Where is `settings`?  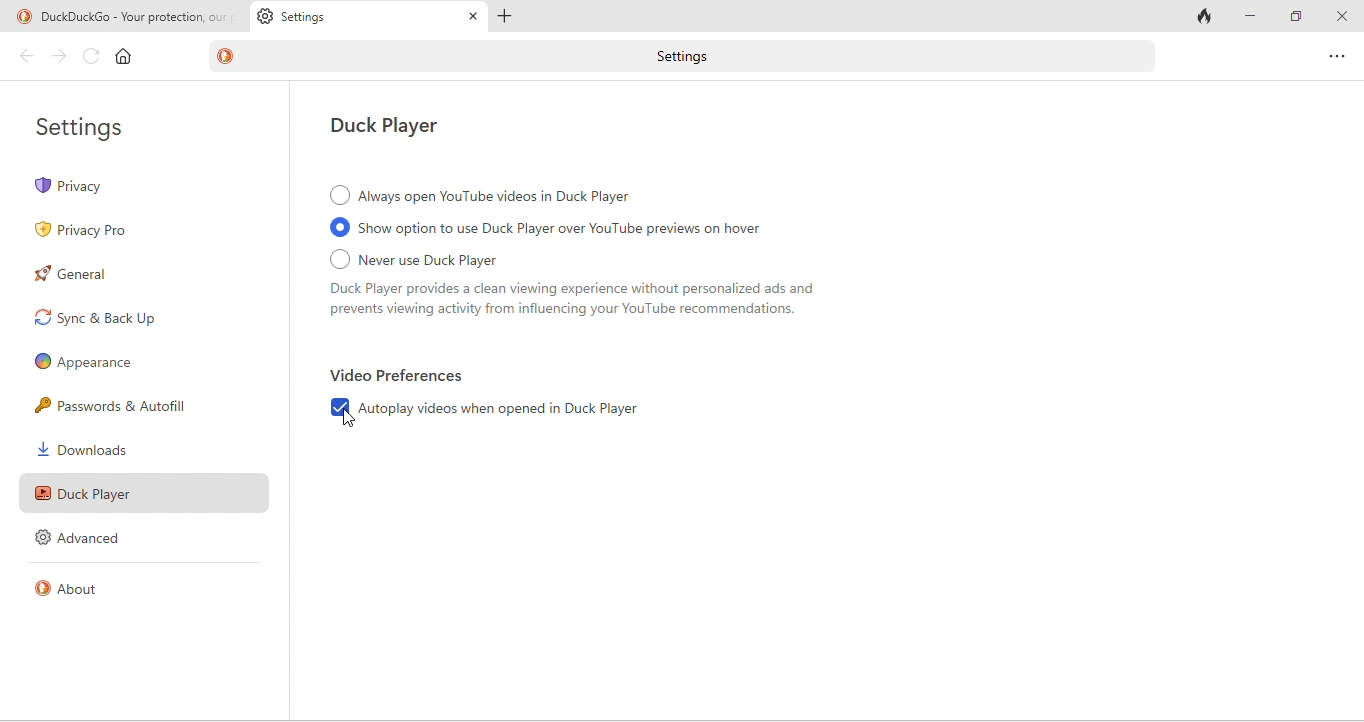
settings is located at coordinates (367, 16).